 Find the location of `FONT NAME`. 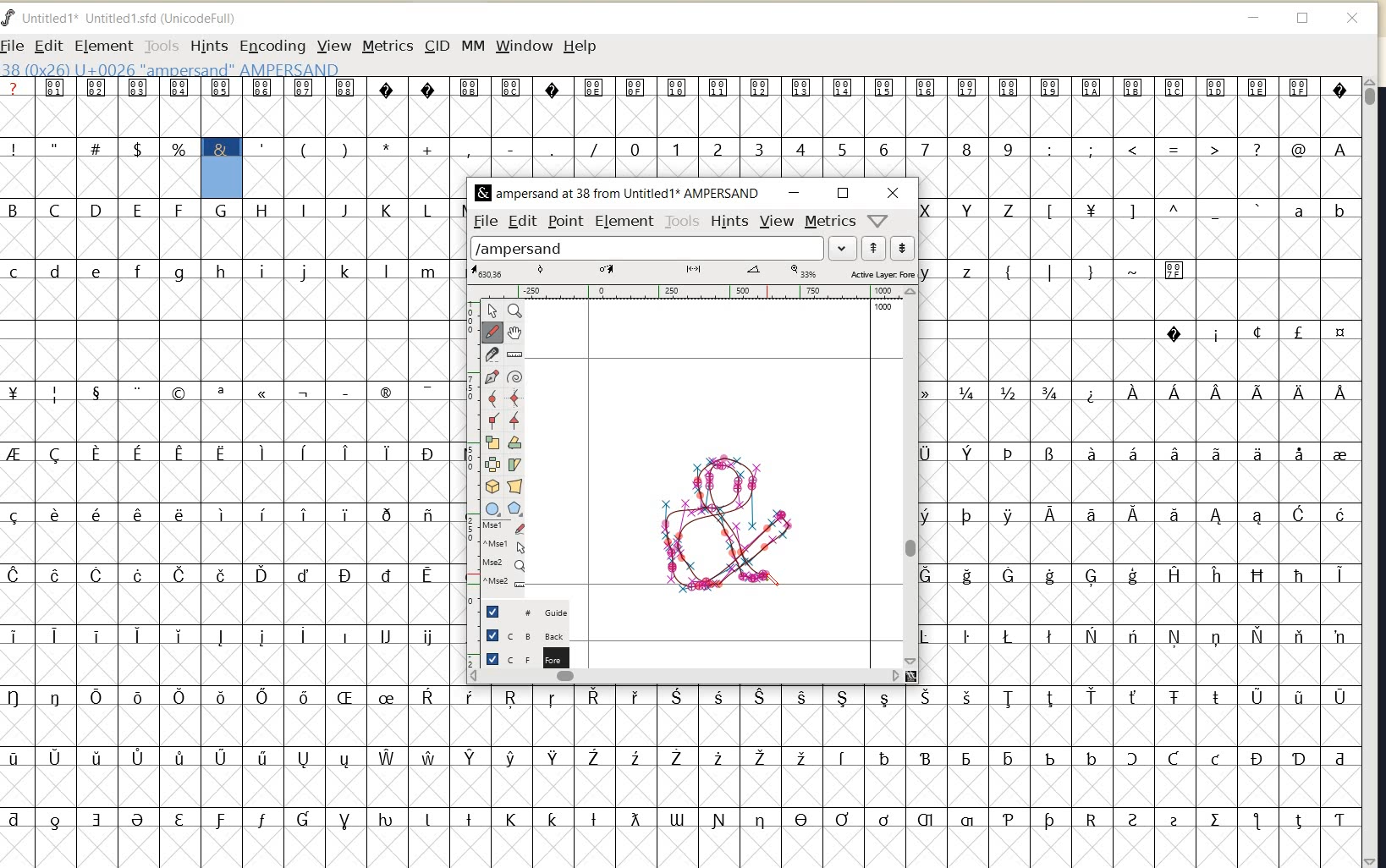

FONT NAME is located at coordinates (614, 194).